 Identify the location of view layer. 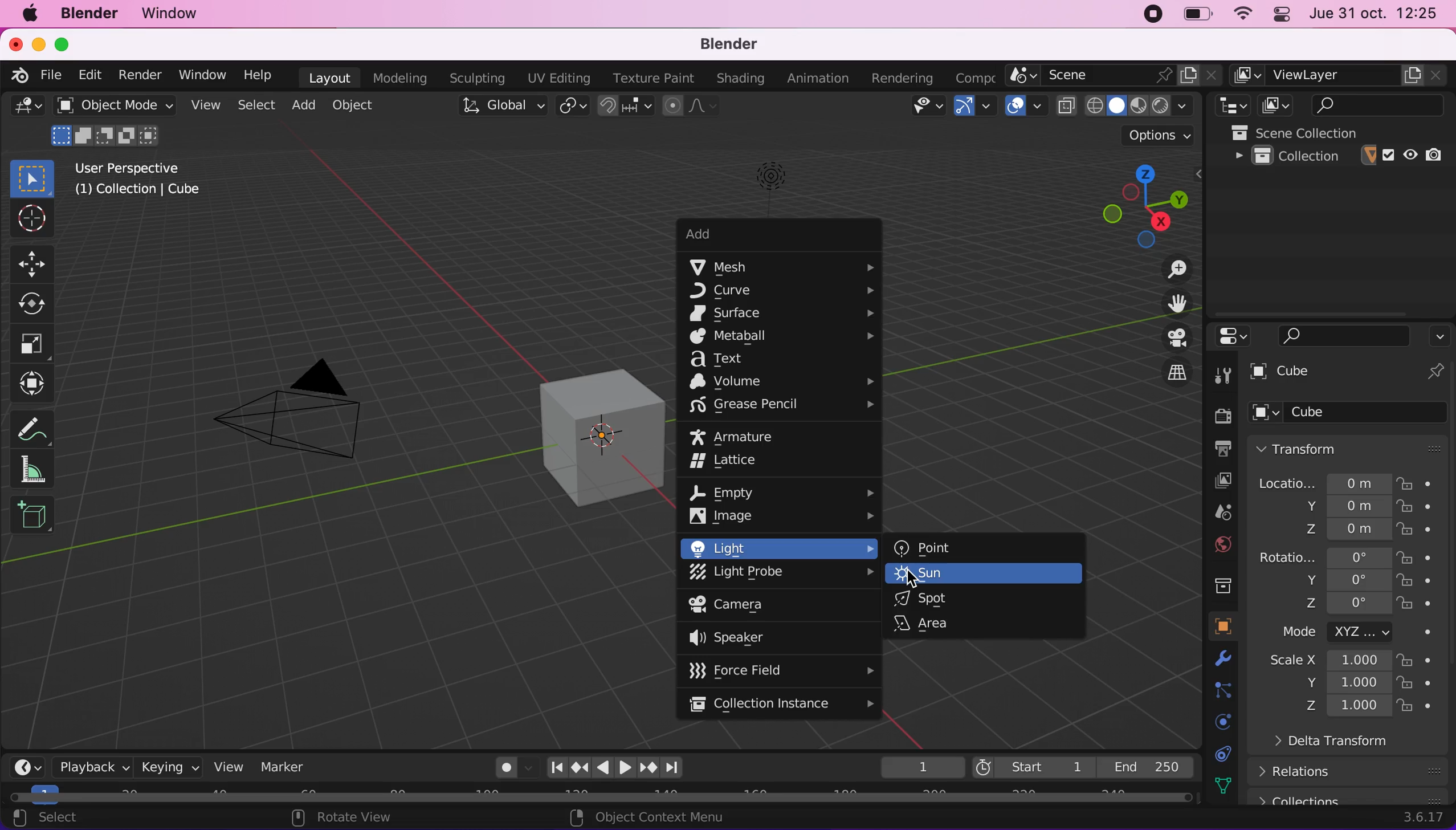
(1212, 481).